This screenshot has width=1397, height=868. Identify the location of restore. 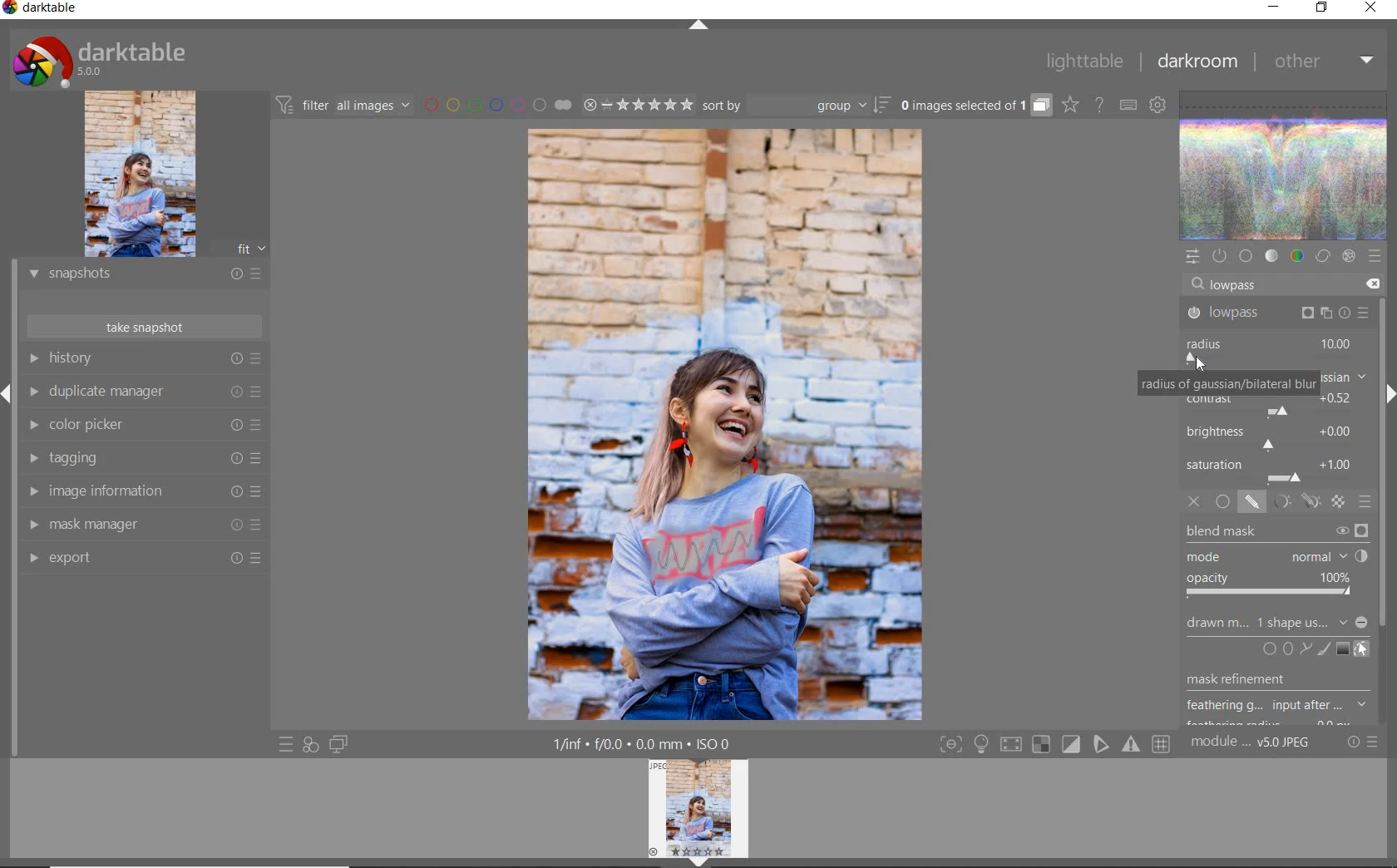
(1322, 9).